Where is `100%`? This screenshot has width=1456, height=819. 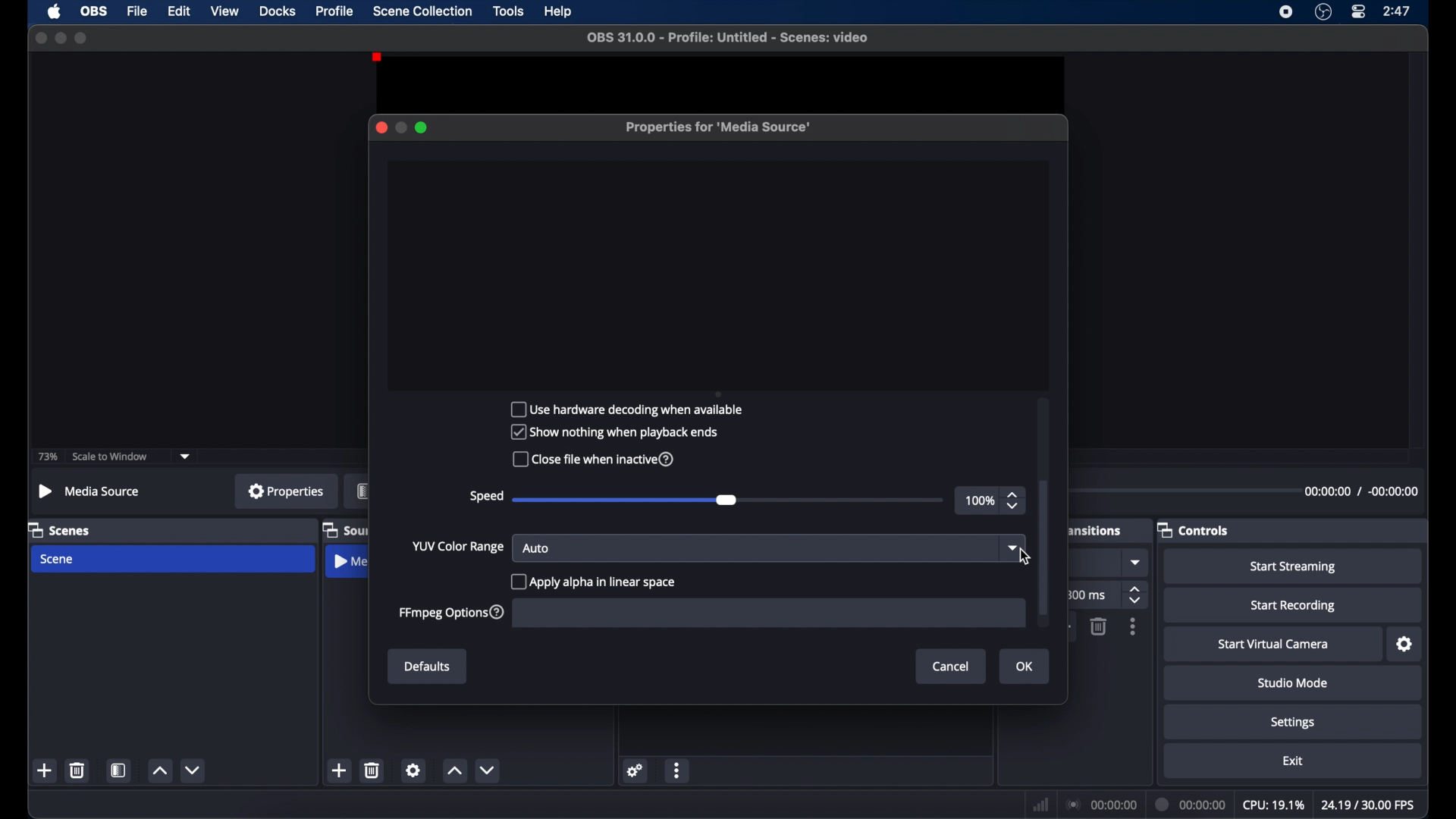 100% is located at coordinates (980, 501).